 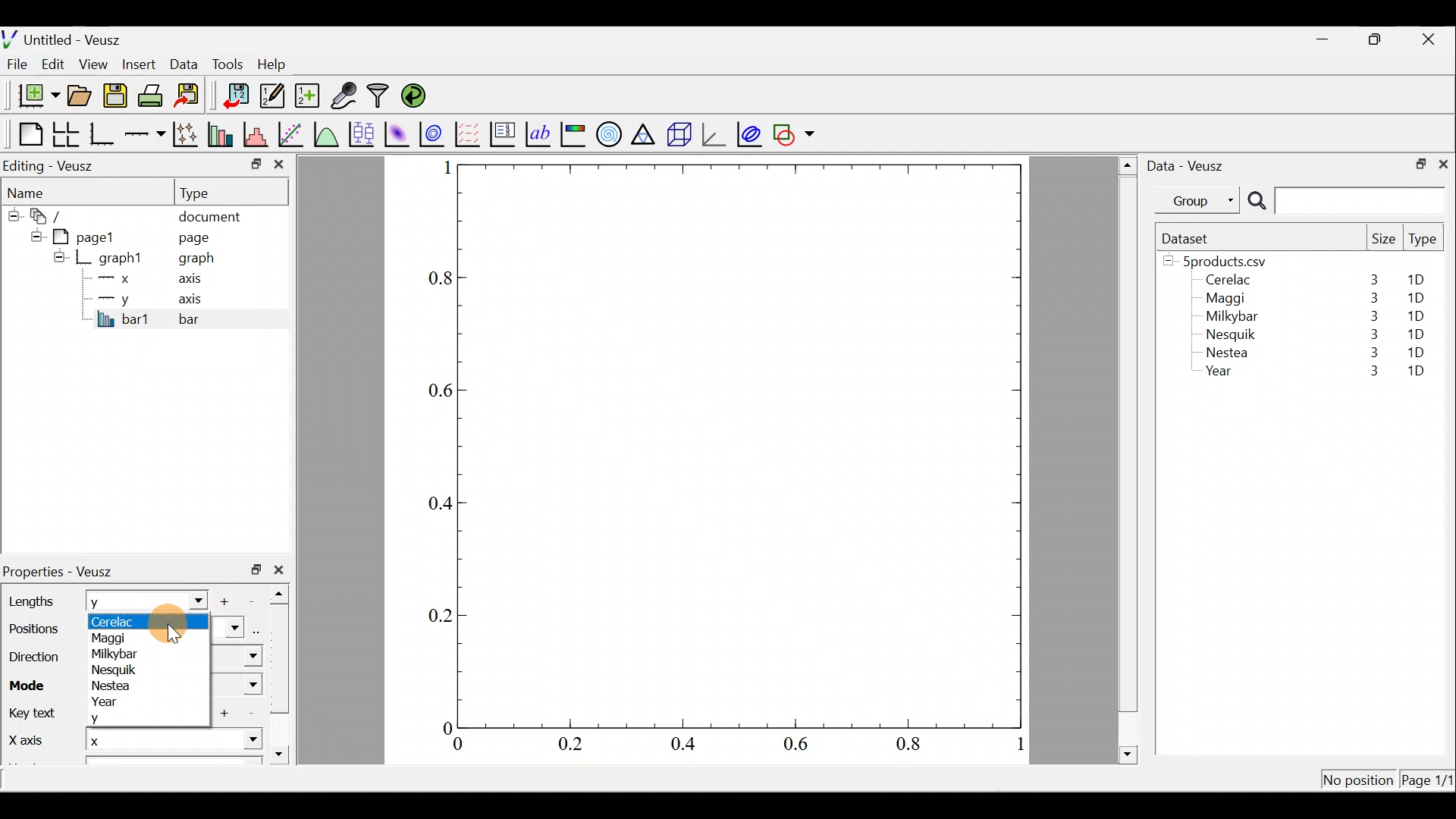 What do you see at coordinates (281, 64) in the screenshot?
I see `Help` at bounding box center [281, 64].